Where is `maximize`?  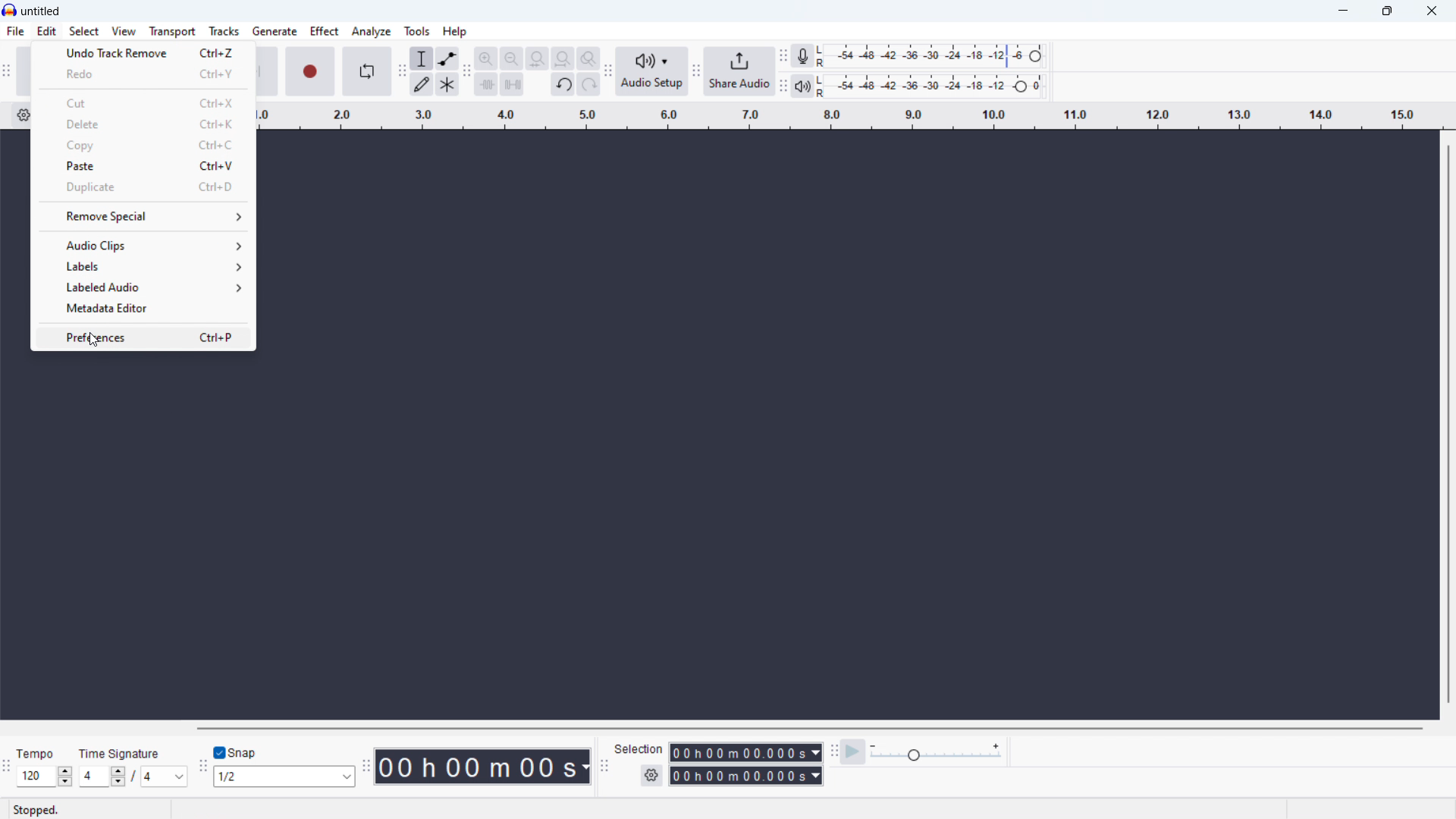 maximize is located at coordinates (1387, 11).